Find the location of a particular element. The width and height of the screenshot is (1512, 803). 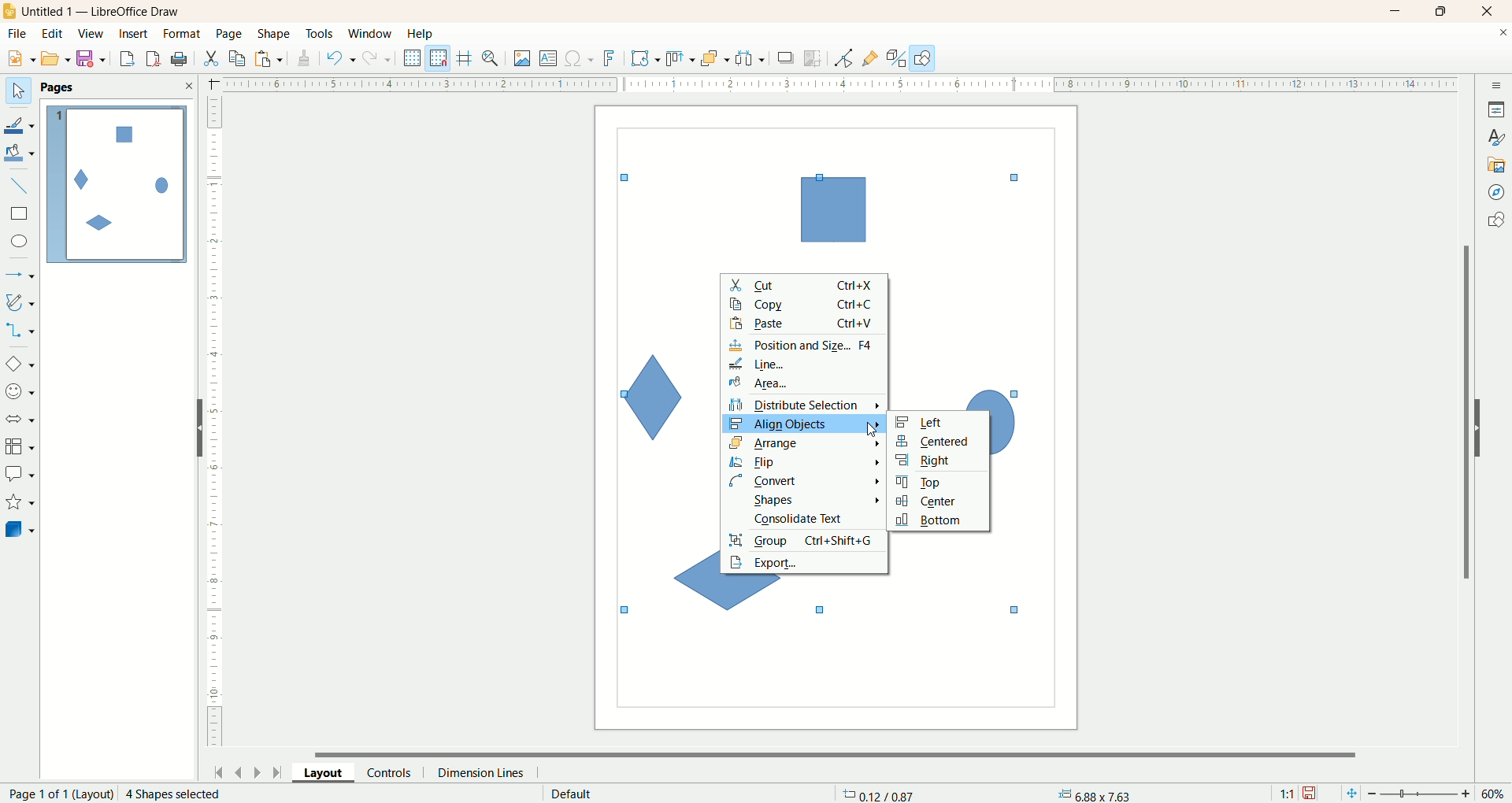

unselected shape is located at coordinates (832, 208).